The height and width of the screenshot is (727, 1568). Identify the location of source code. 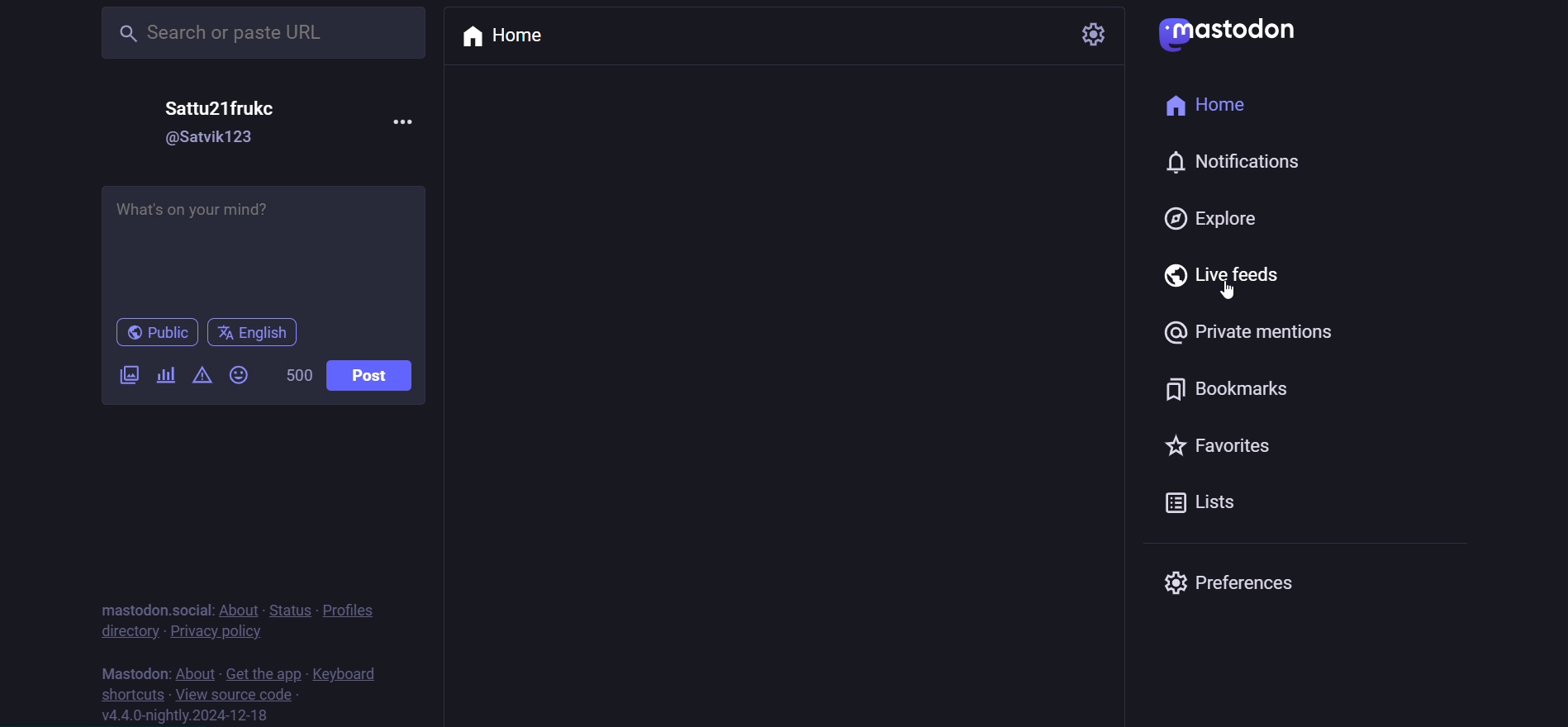
(233, 694).